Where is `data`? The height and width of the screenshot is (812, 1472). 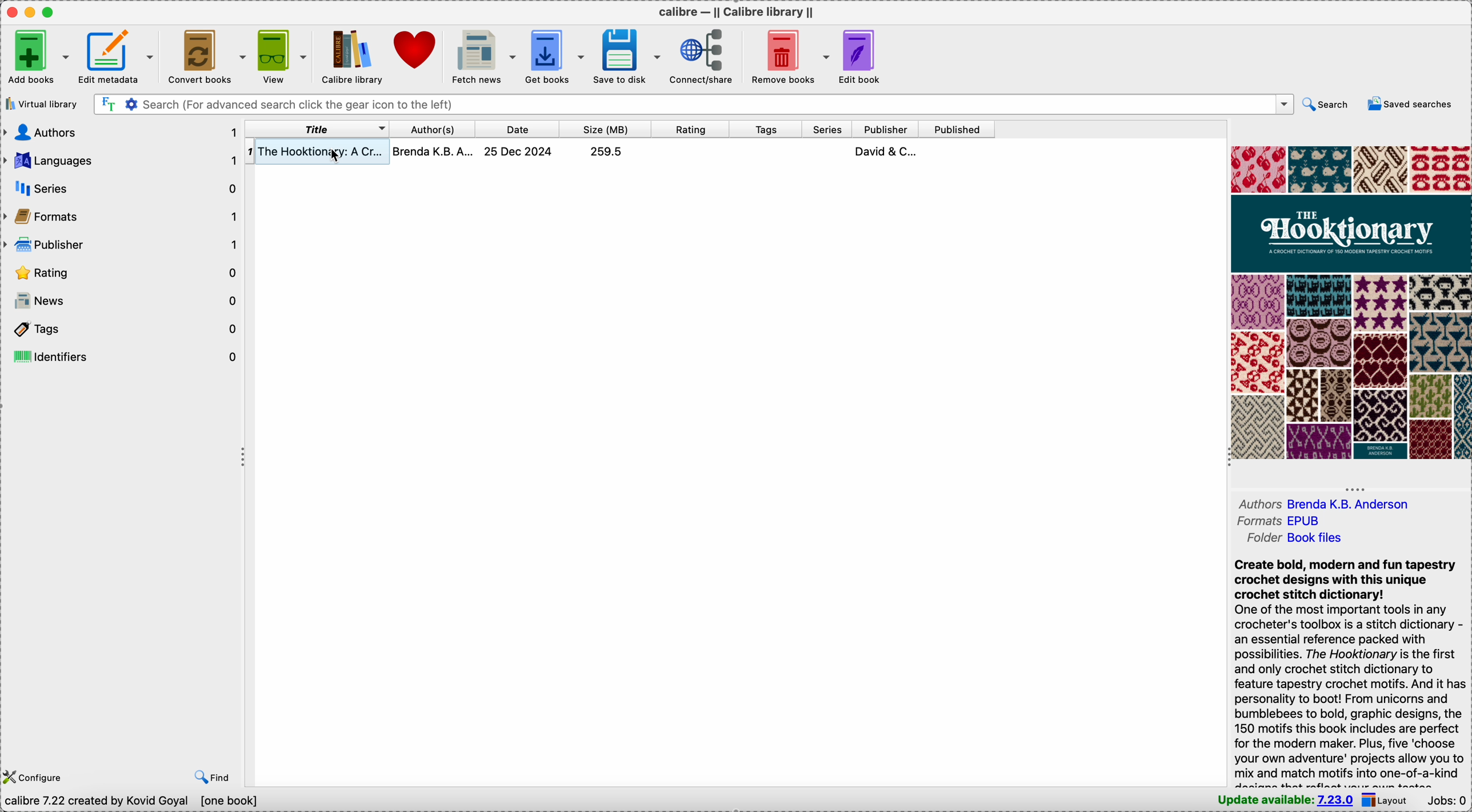 data is located at coordinates (131, 801).